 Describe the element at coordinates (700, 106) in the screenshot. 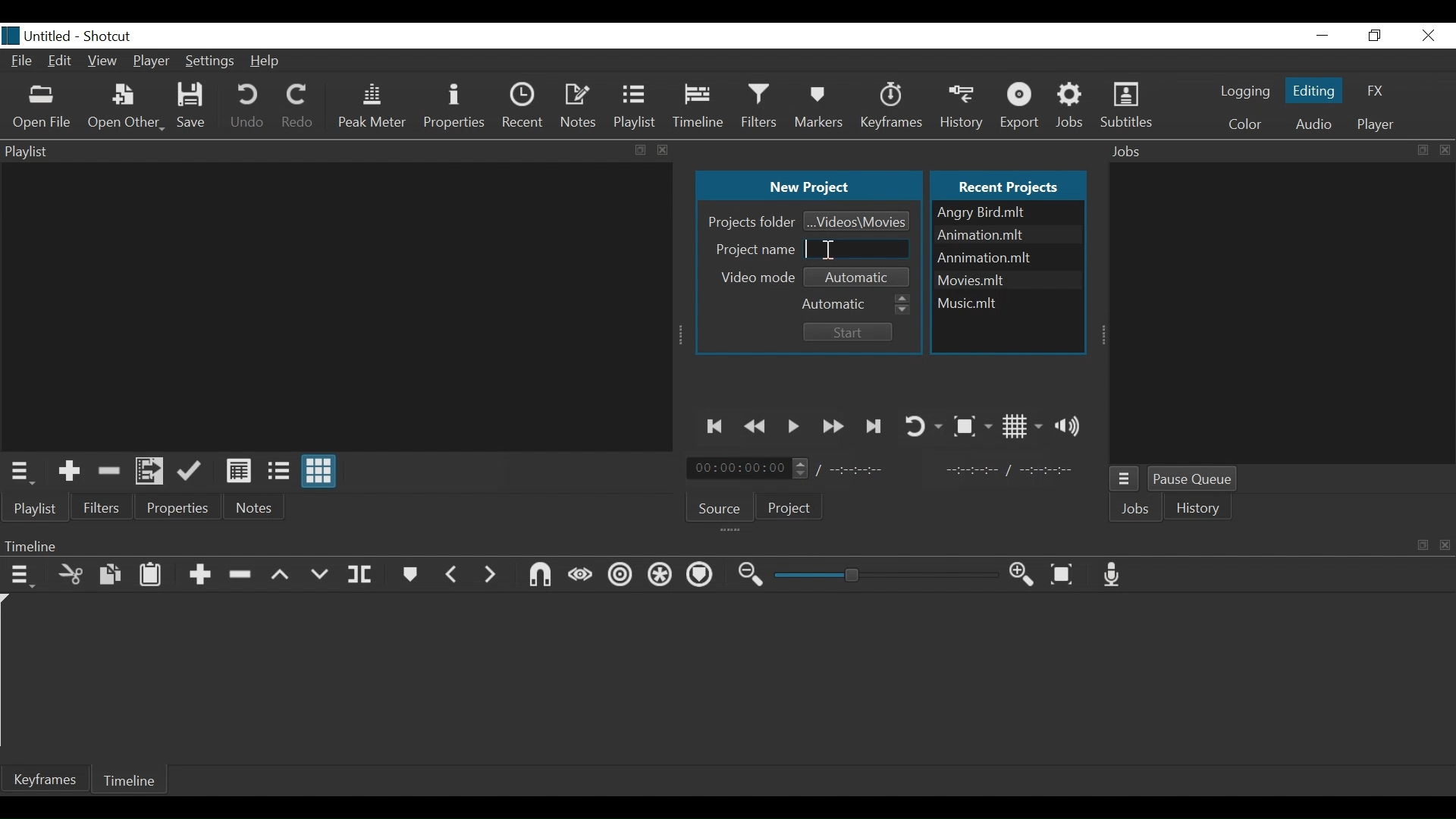

I see `Timeline` at that location.